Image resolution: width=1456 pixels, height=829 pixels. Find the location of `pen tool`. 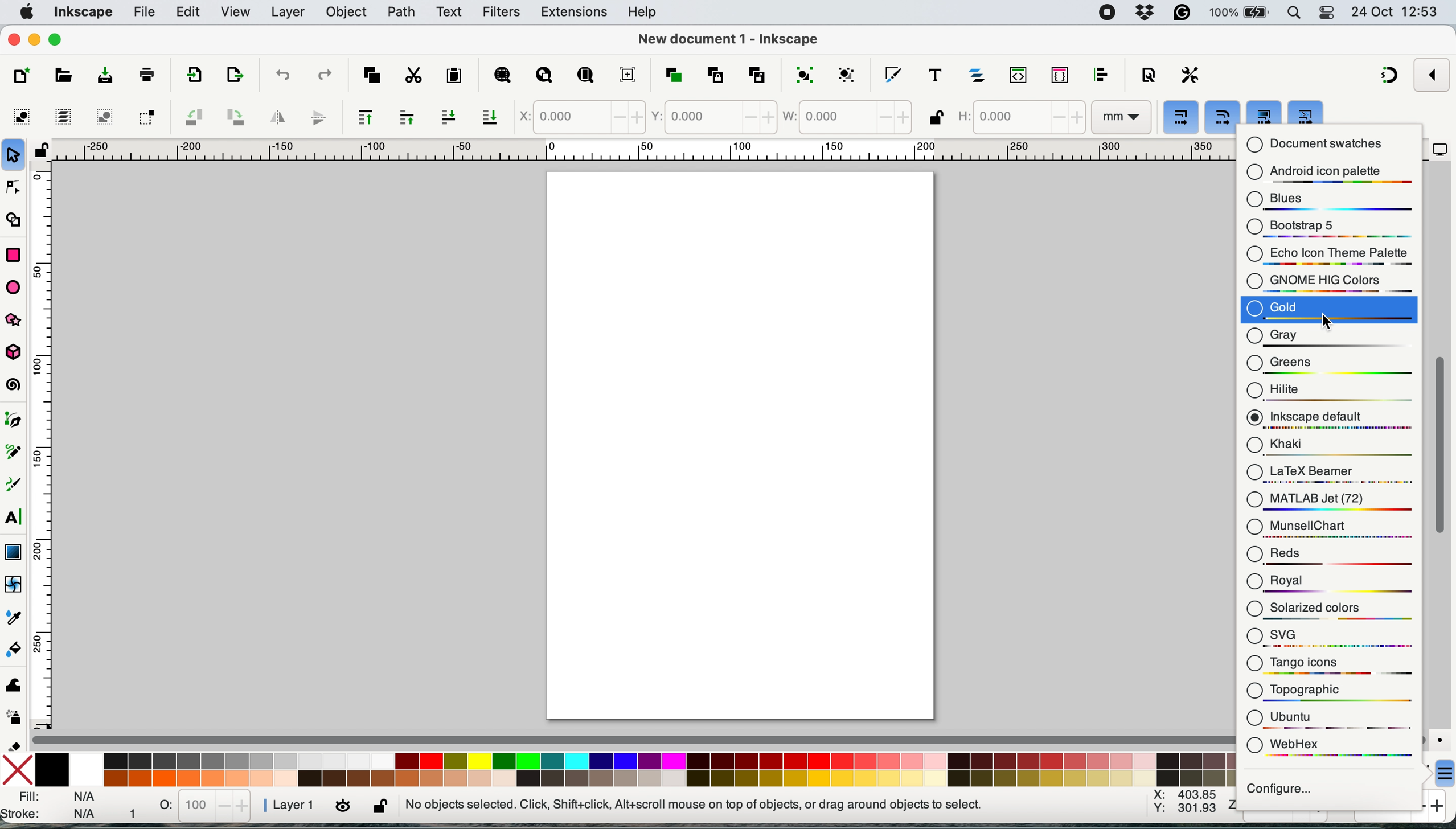

pen tool is located at coordinates (18, 421).